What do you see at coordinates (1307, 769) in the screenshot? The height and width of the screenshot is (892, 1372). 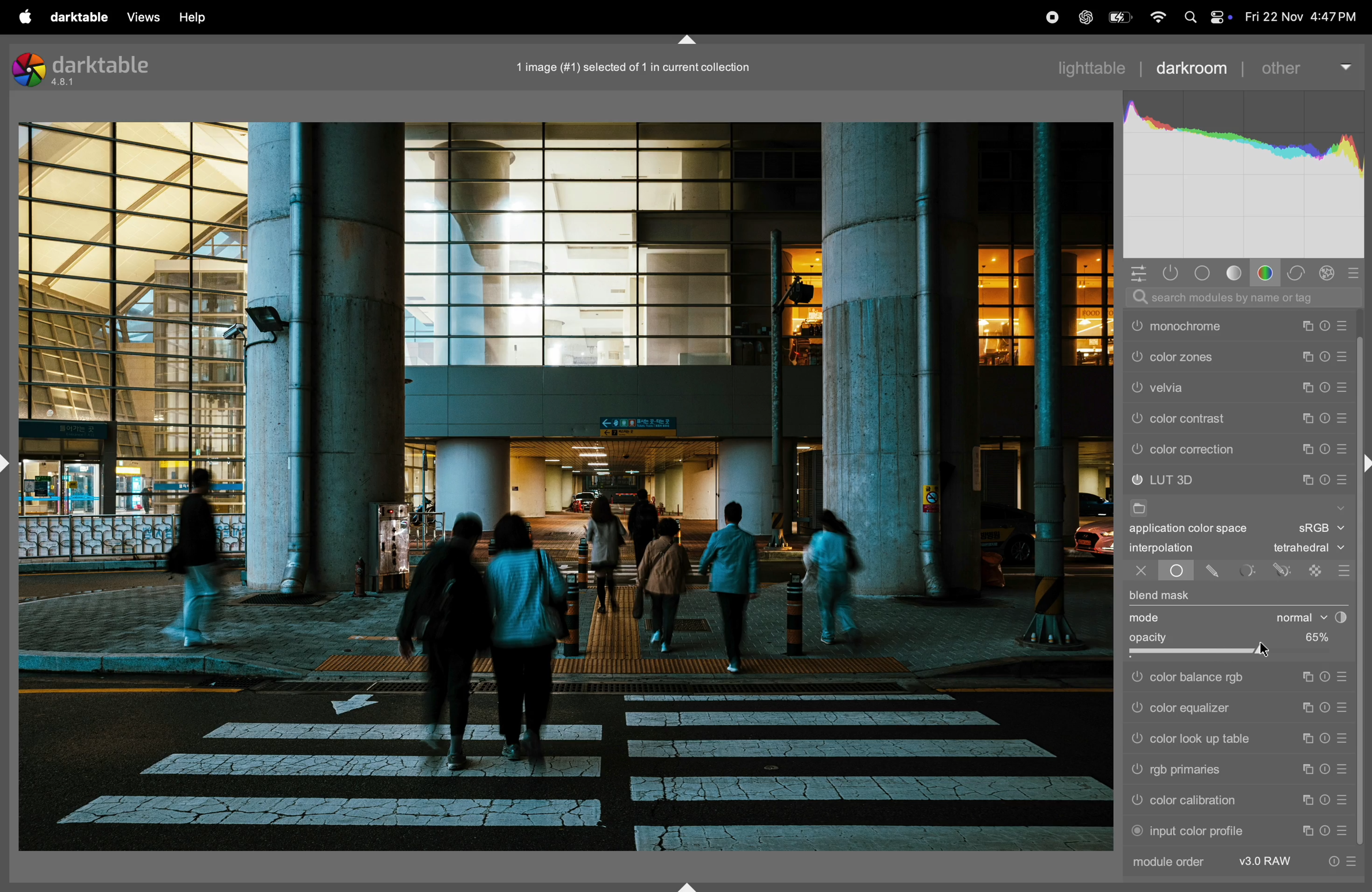 I see `multiple instance actions` at bounding box center [1307, 769].